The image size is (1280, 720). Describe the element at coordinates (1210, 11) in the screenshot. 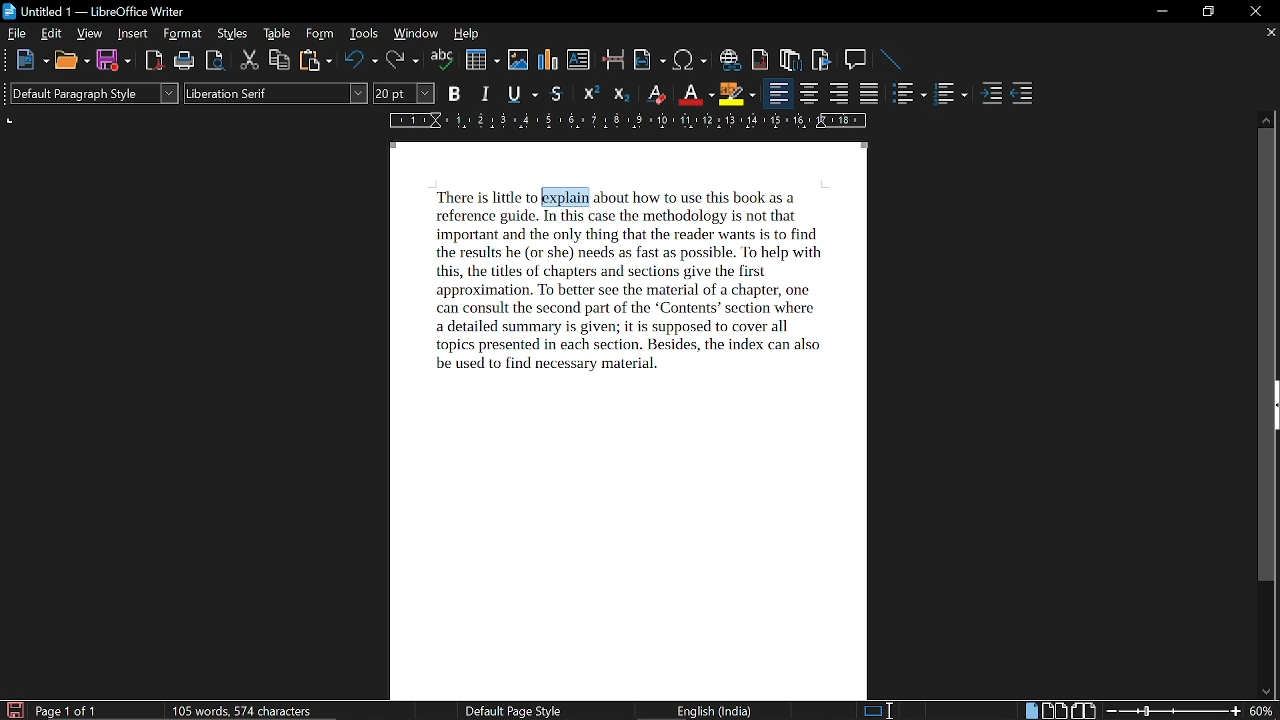

I see `restore down` at that location.